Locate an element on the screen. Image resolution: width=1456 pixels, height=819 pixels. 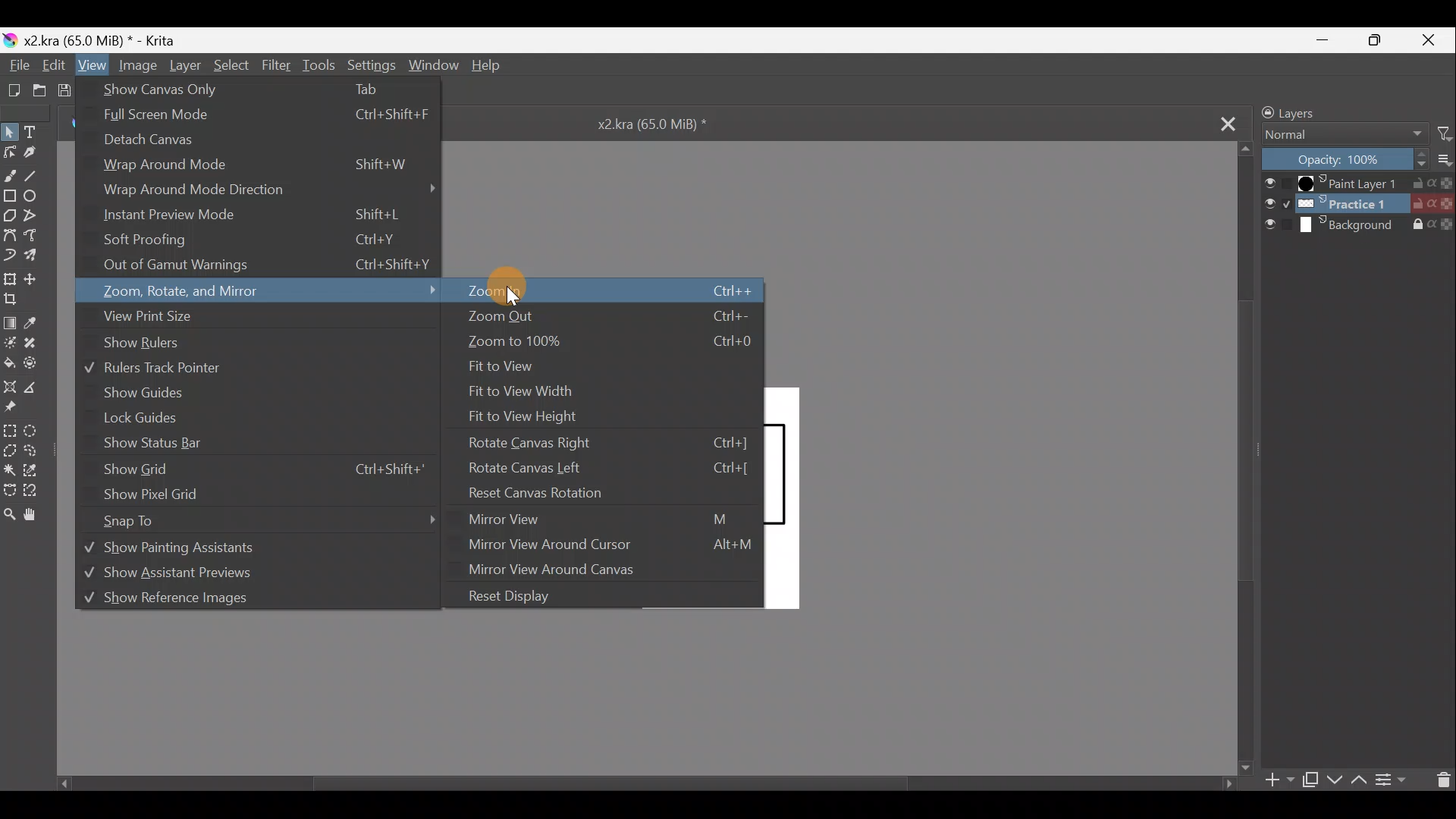
Scroll bar is located at coordinates (633, 788).